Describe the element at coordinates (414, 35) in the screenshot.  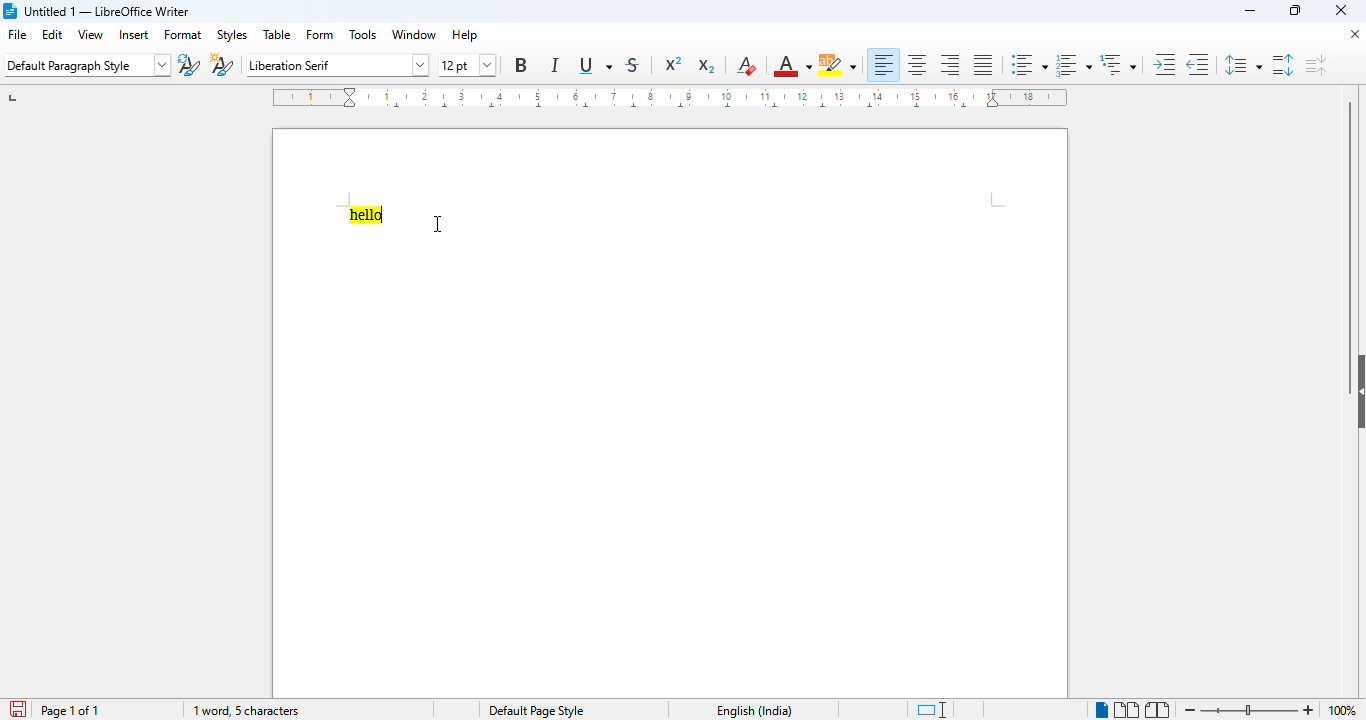
I see `window` at that location.